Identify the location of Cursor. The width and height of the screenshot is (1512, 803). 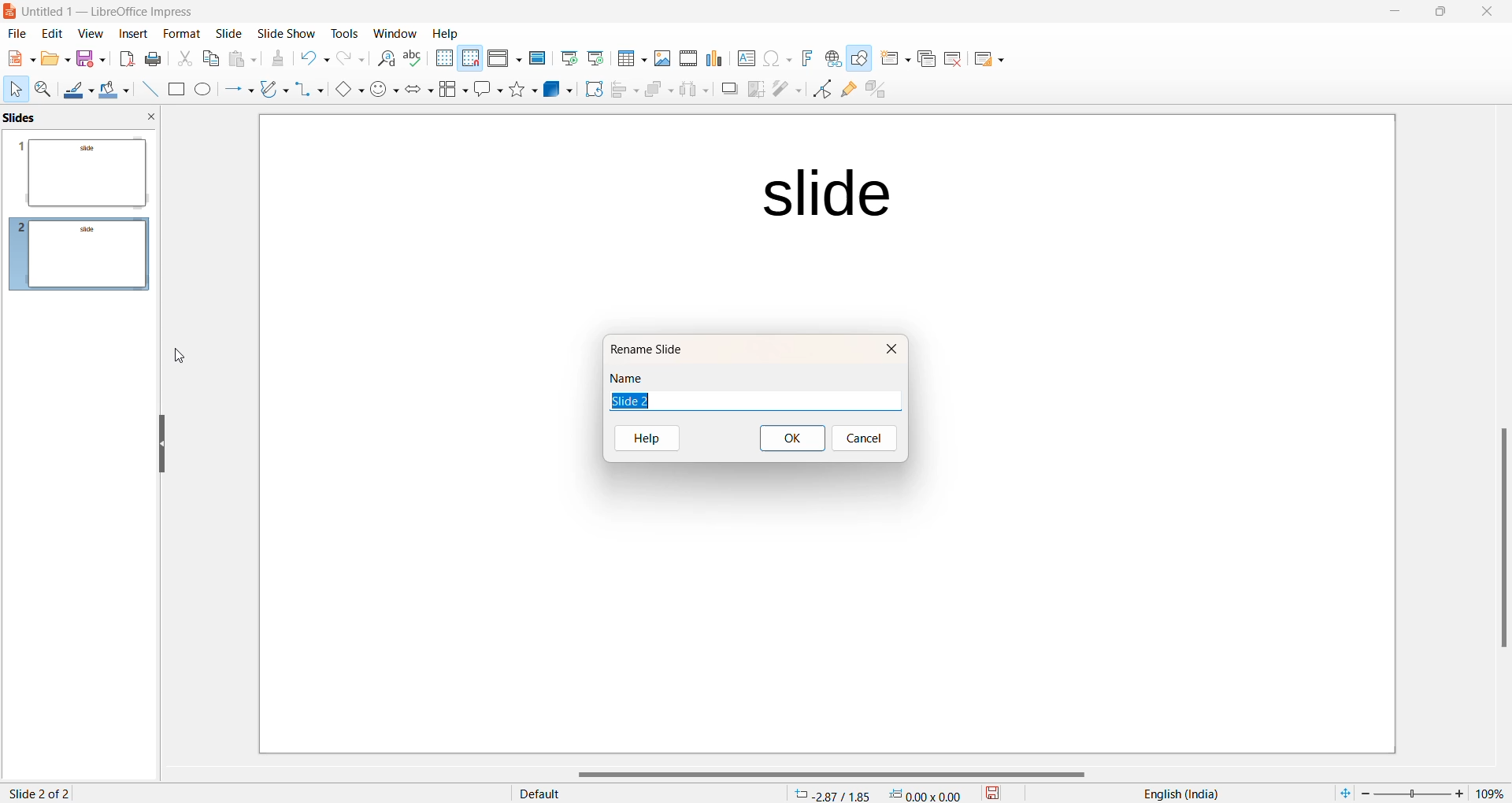
(16, 89).